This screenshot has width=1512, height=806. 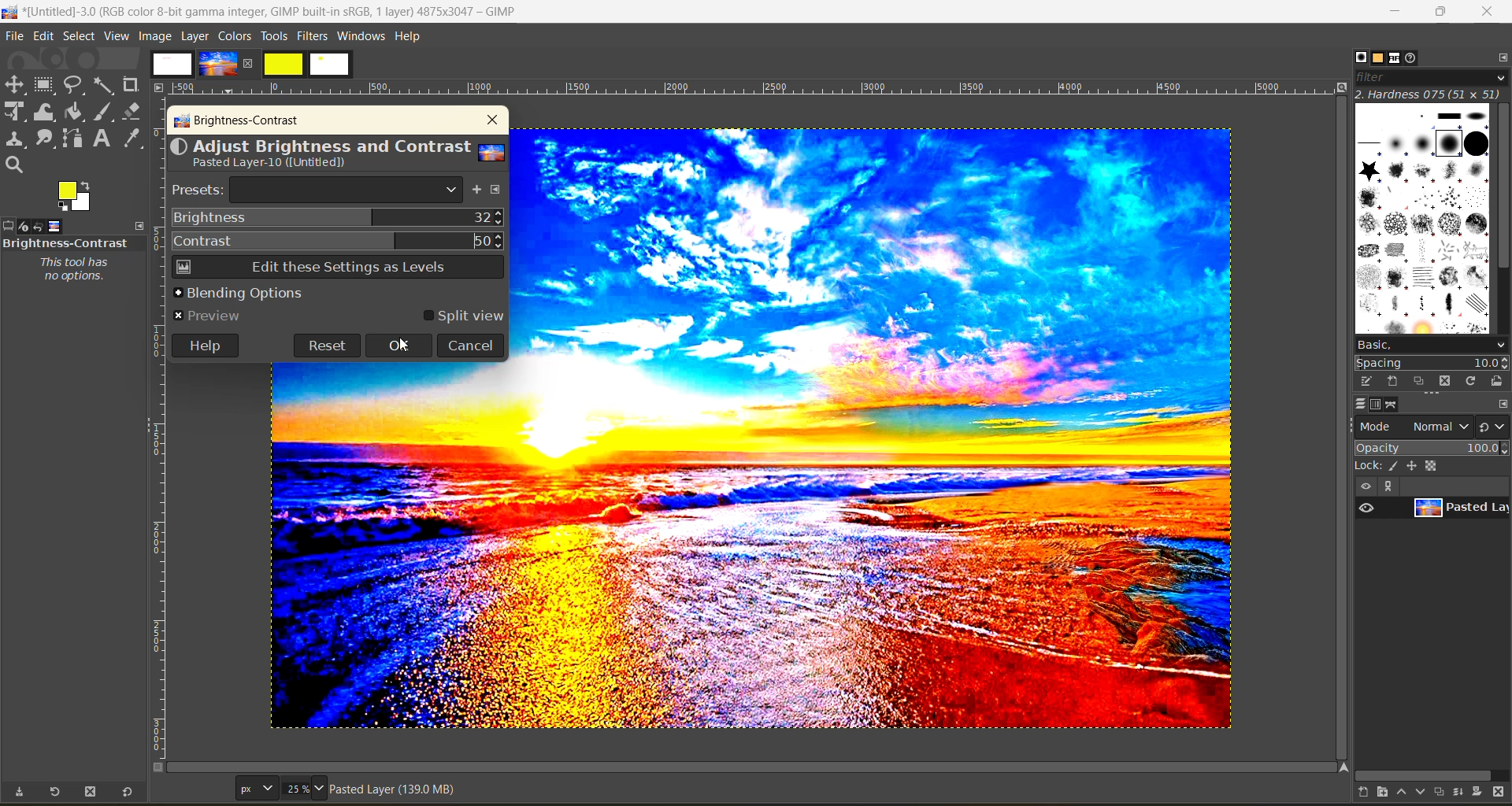 What do you see at coordinates (1414, 426) in the screenshot?
I see `mode` at bounding box center [1414, 426].